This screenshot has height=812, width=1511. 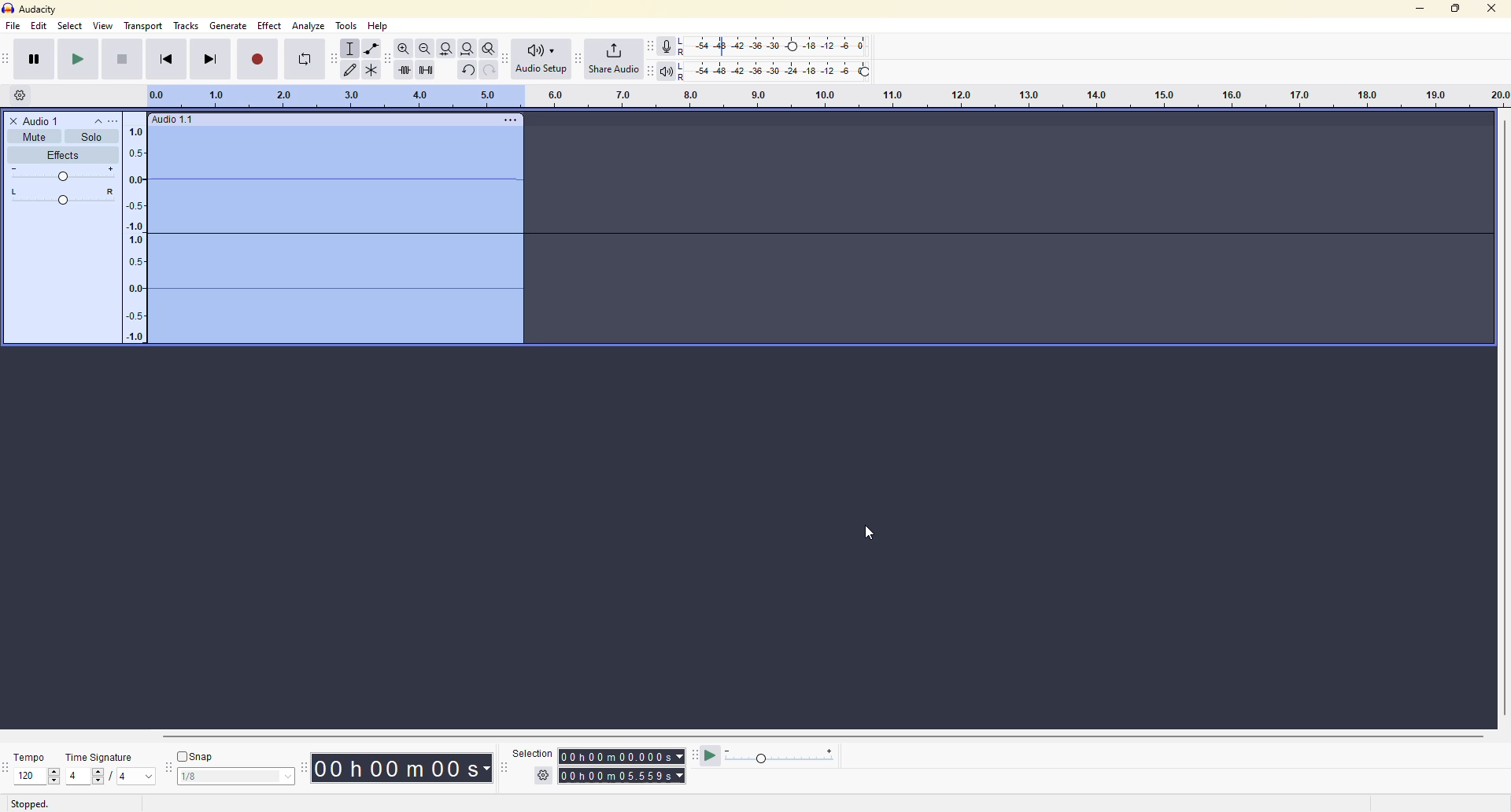 What do you see at coordinates (375, 68) in the screenshot?
I see `multi tool` at bounding box center [375, 68].